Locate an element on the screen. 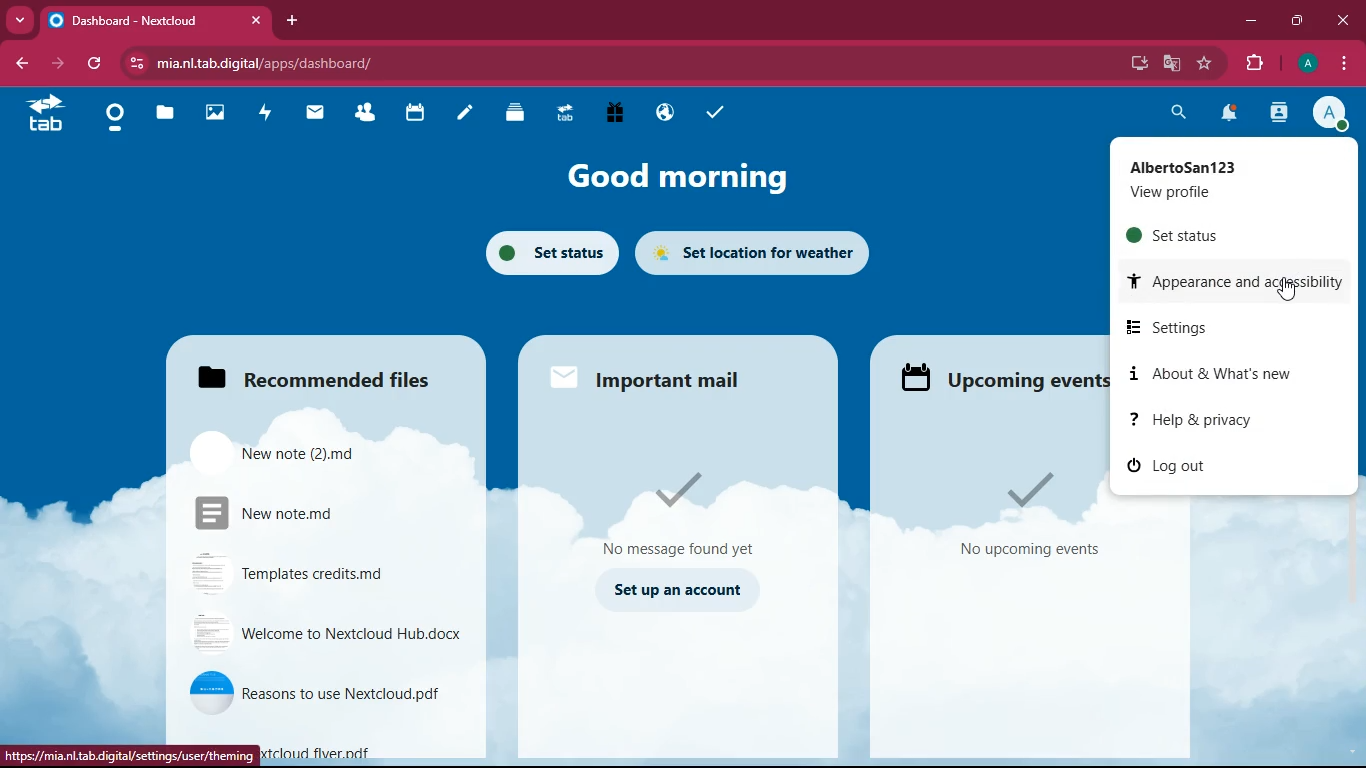 The image size is (1366, 768). home is located at coordinates (112, 119).